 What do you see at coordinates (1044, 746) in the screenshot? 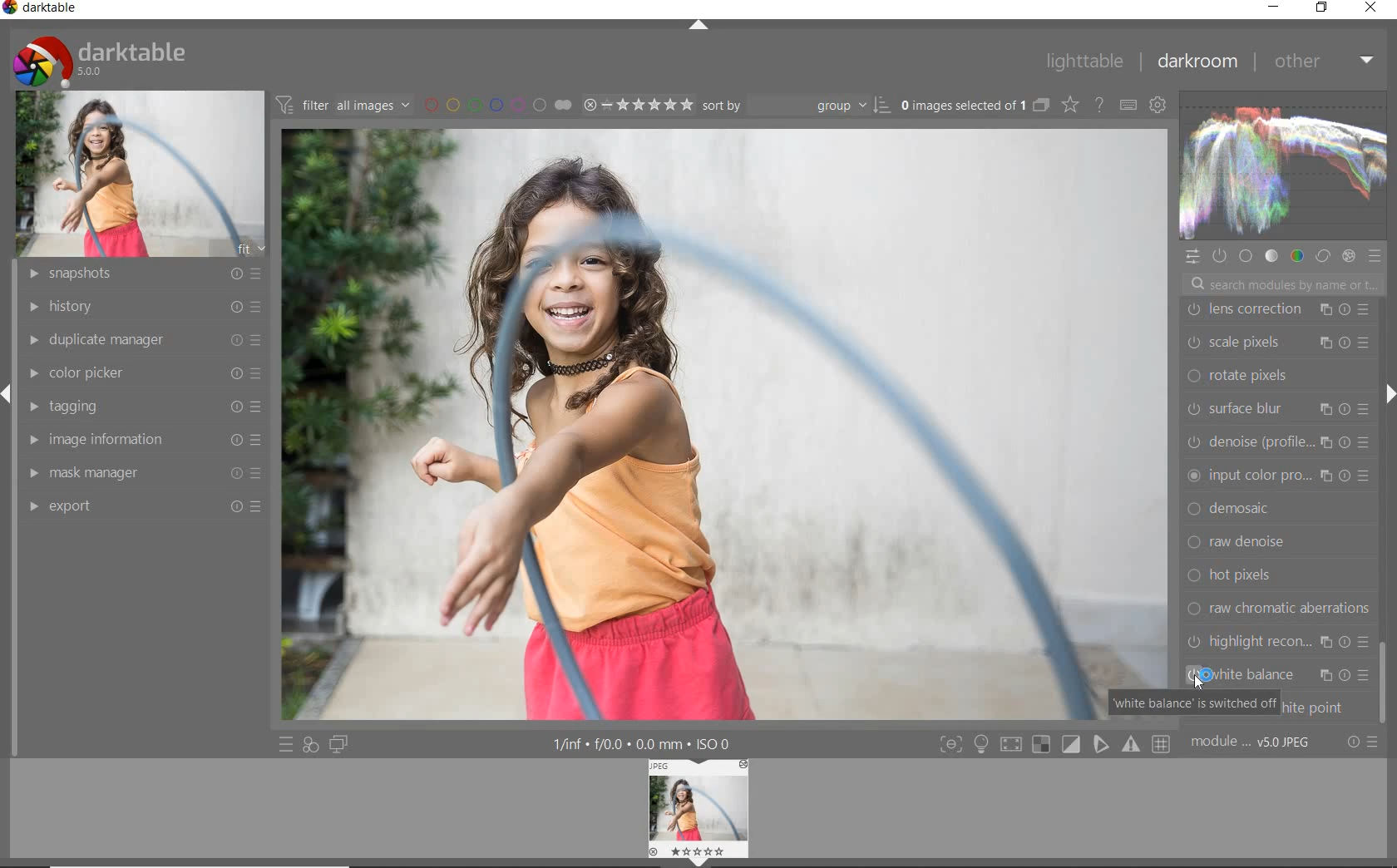
I see `toggle mode ` at bounding box center [1044, 746].